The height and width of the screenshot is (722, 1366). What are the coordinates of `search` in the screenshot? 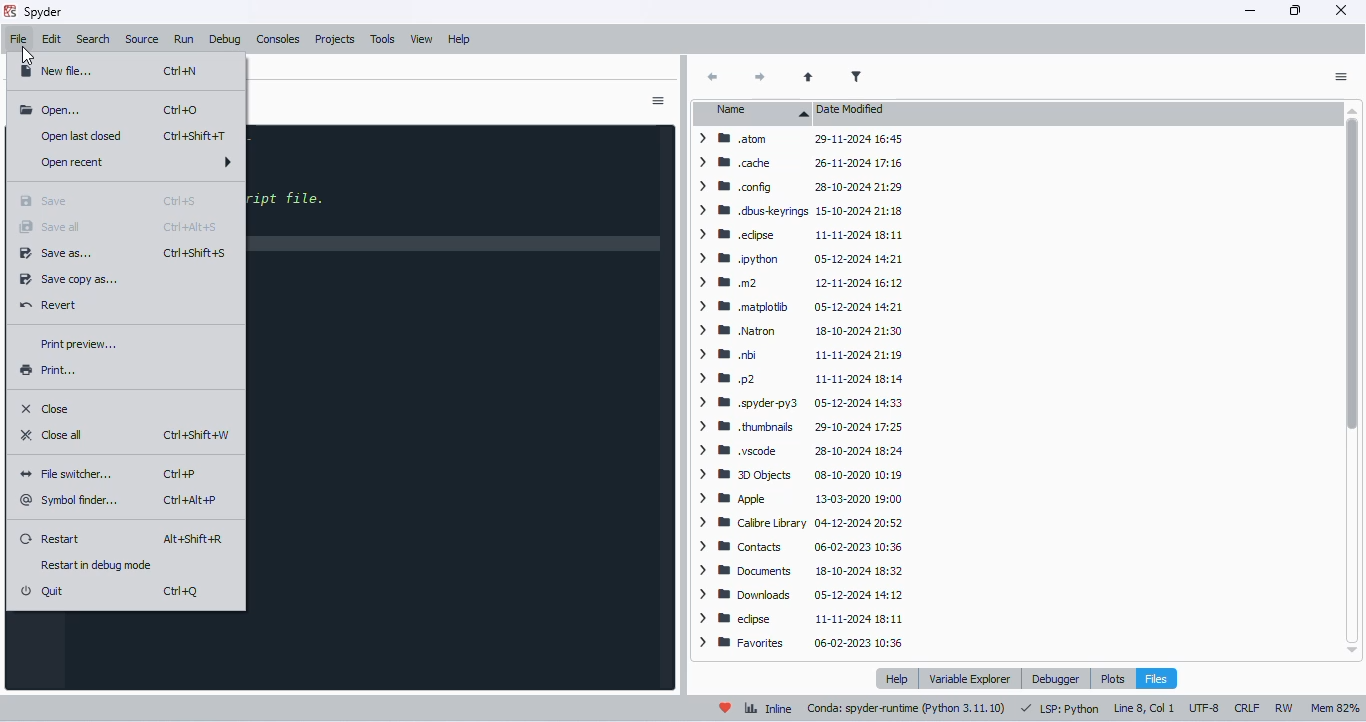 It's located at (92, 39).